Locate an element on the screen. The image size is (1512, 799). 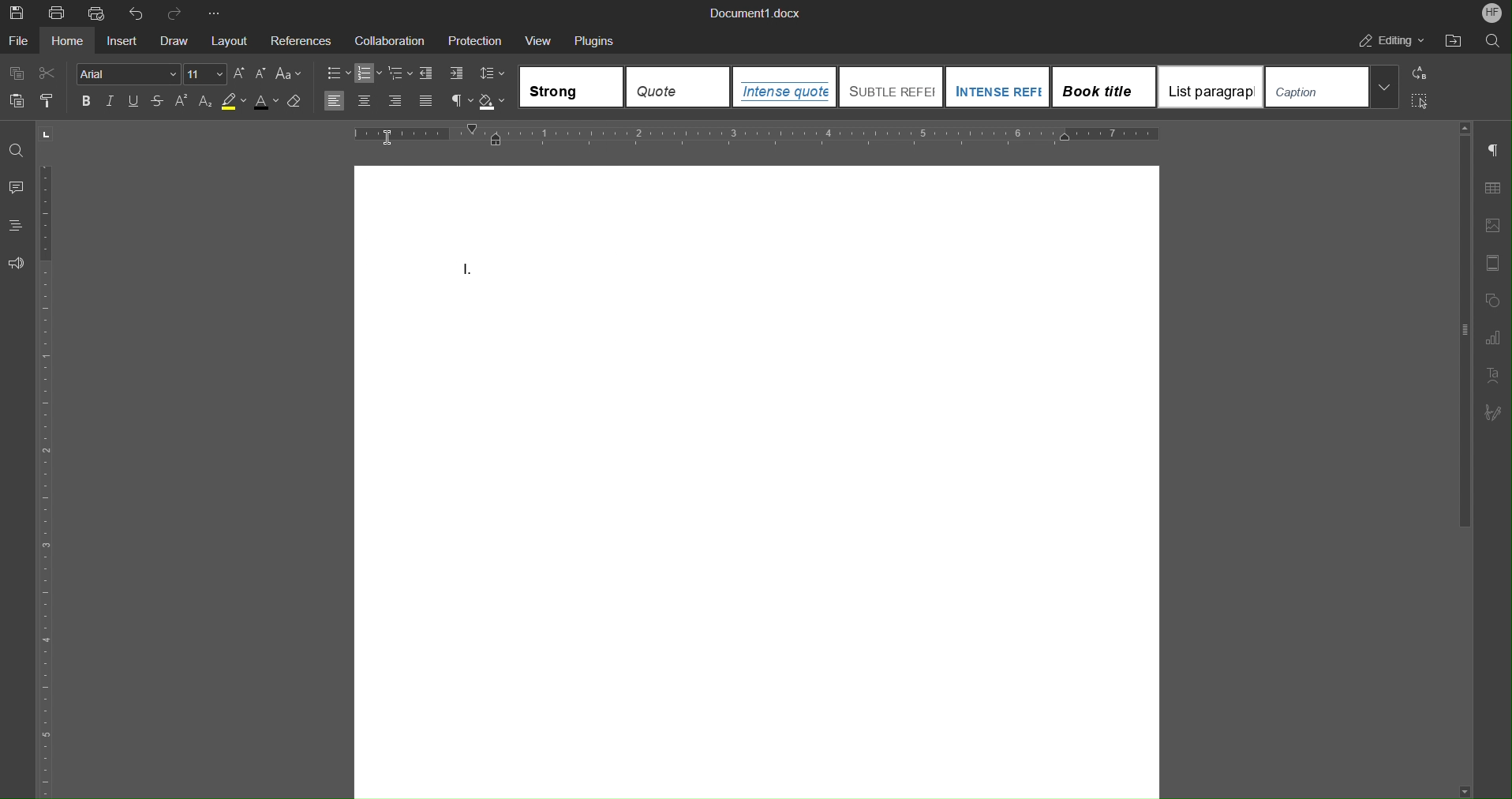
Horizontal Ruler is located at coordinates (757, 135).